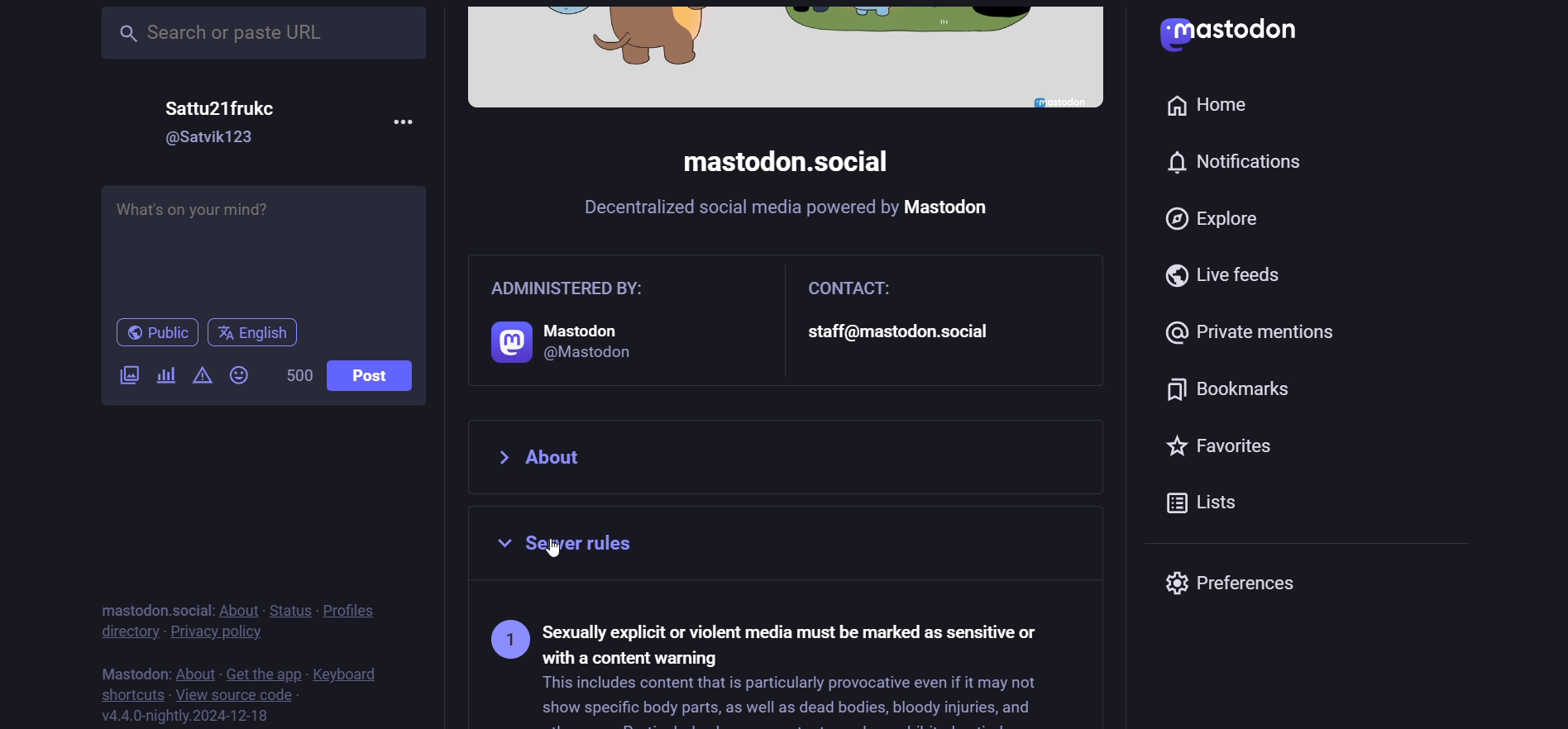 This screenshot has height=729, width=1568. Describe the element at coordinates (201, 375) in the screenshot. I see `content warning` at that location.